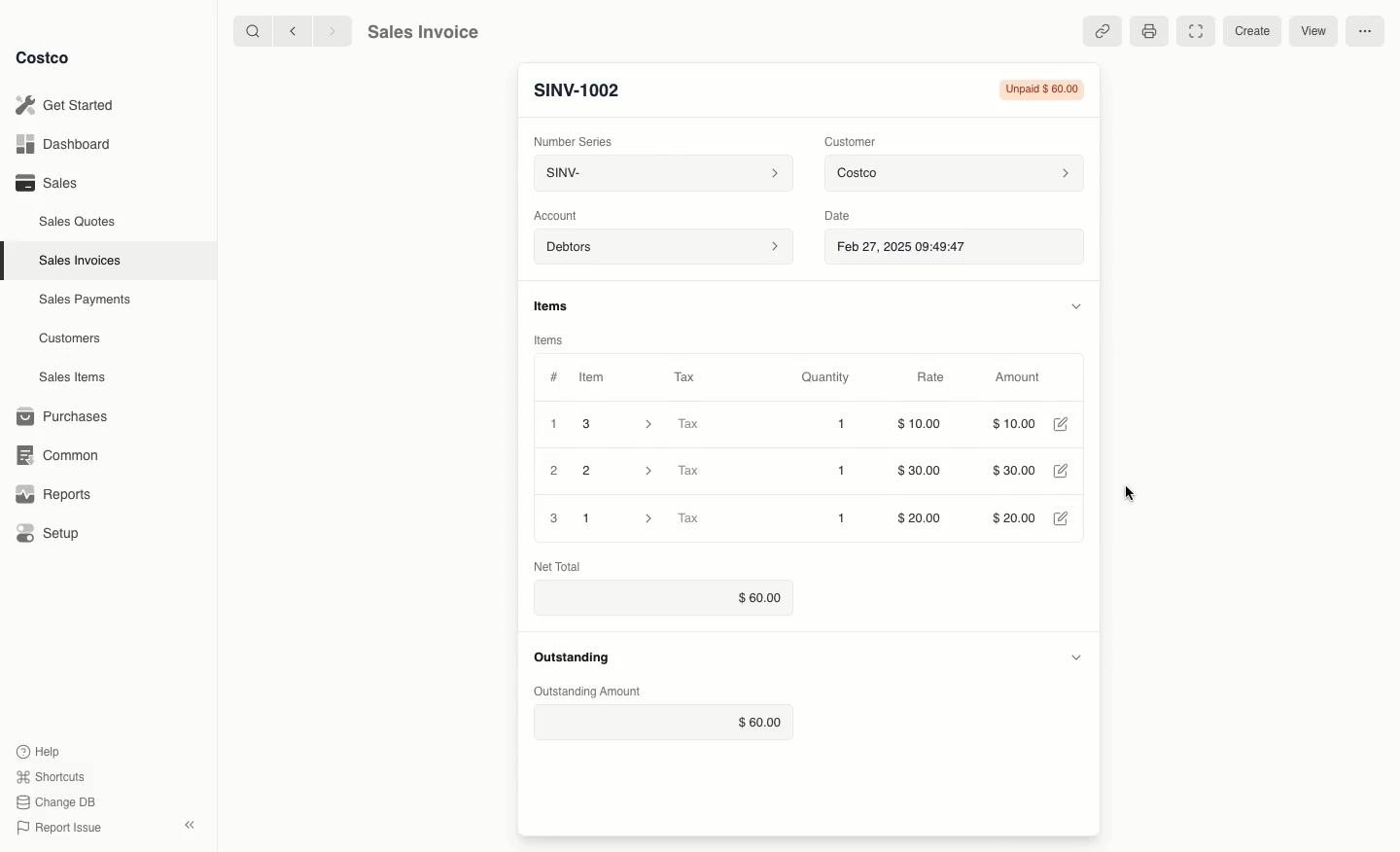 The width and height of the screenshot is (1400, 852). I want to click on Unpaid, so click(1044, 89).